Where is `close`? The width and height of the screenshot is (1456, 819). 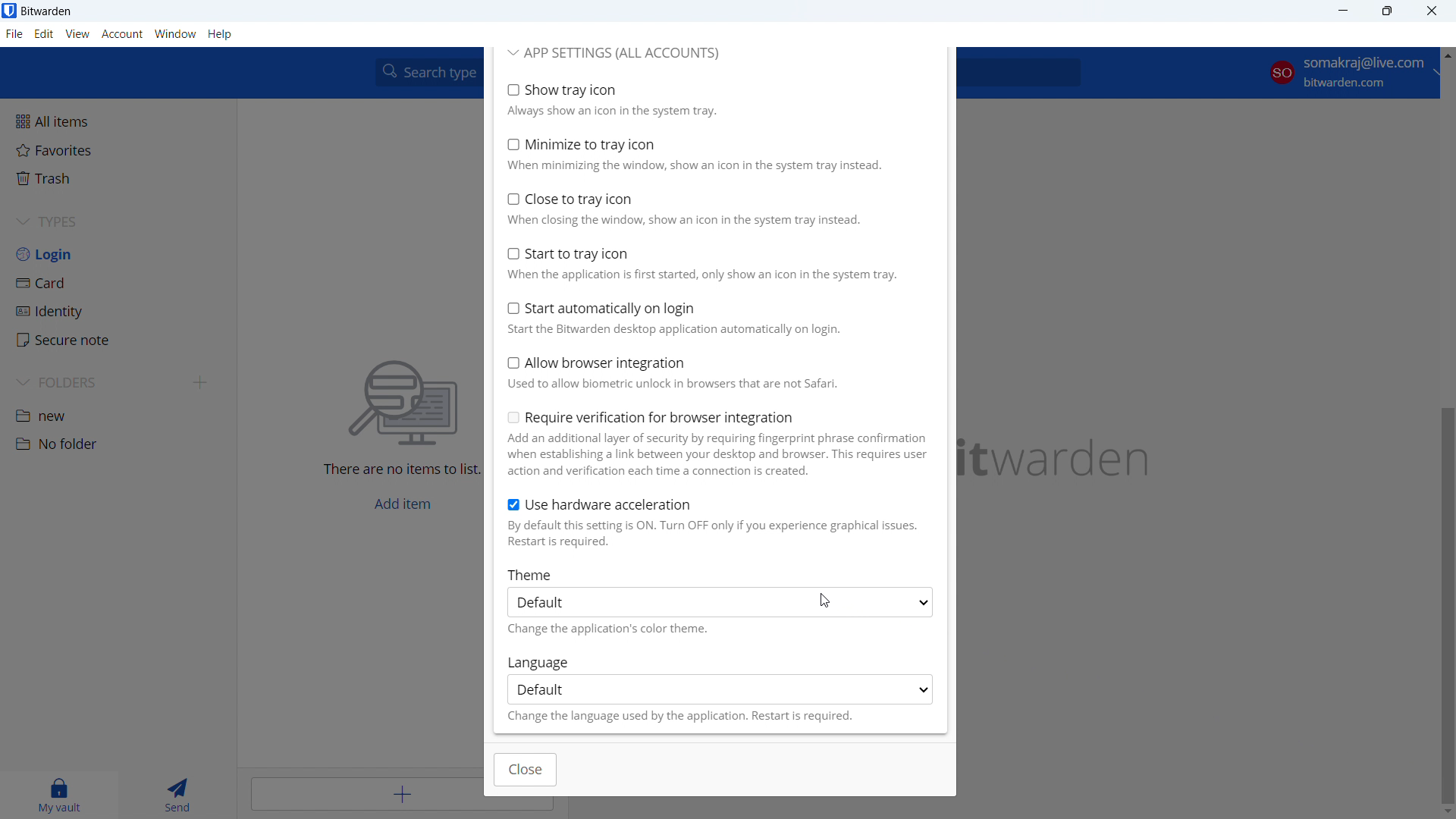 close is located at coordinates (526, 770).